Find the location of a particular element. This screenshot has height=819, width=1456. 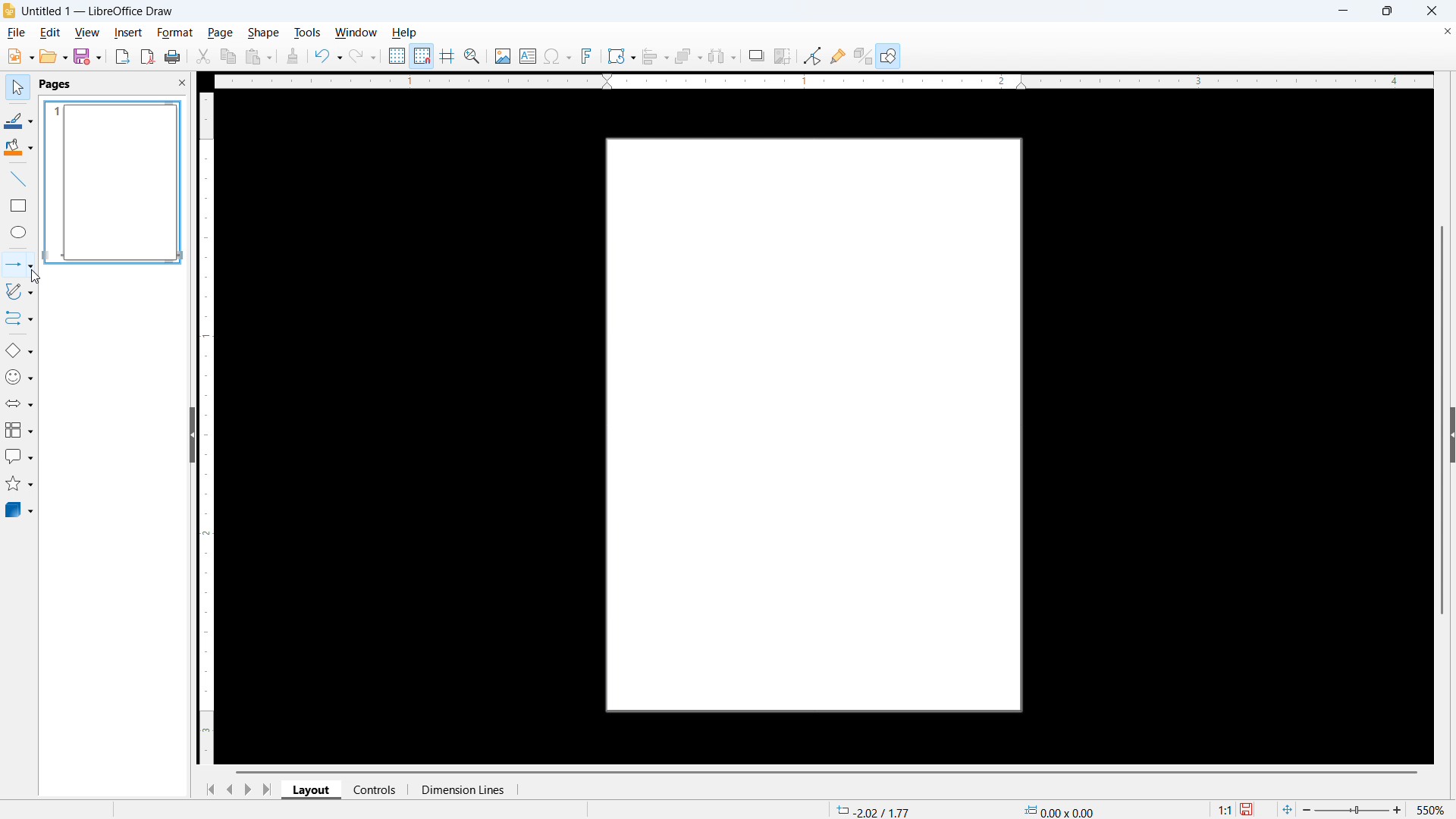

Copy  is located at coordinates (229, 56).